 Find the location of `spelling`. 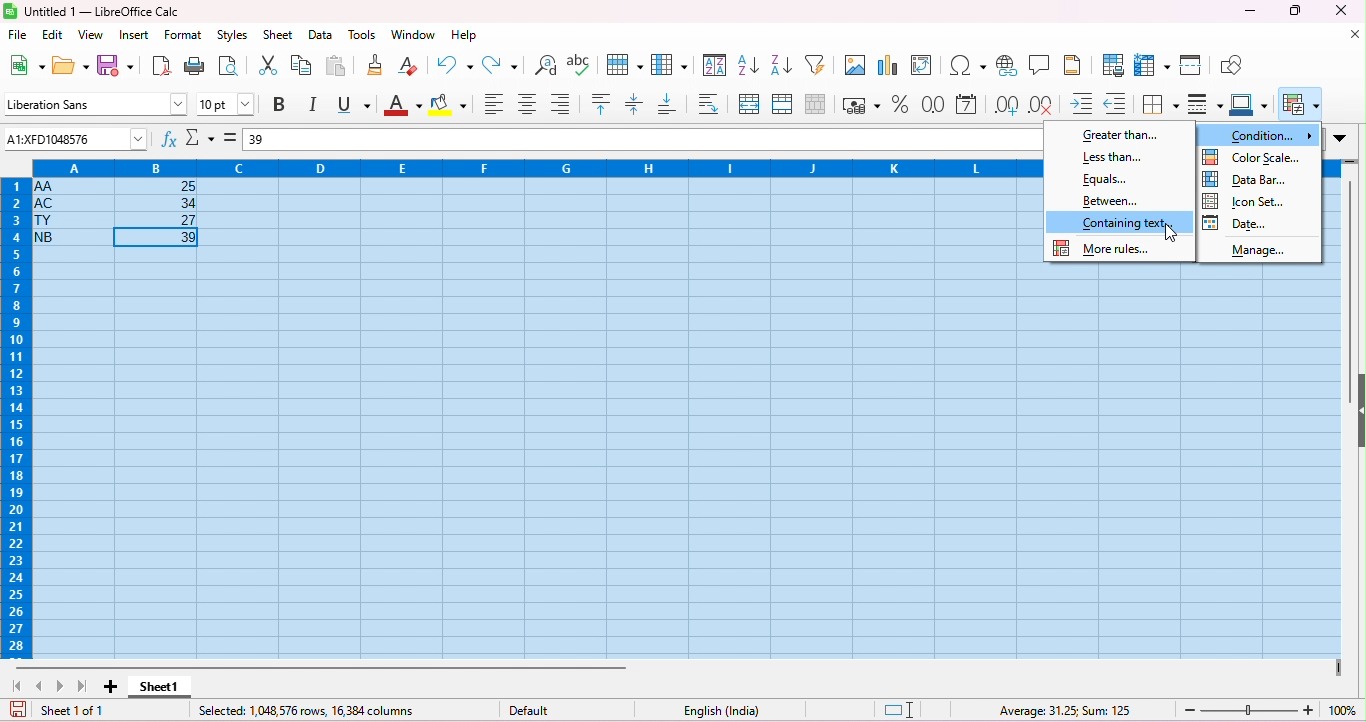

spelling is located at coordinates (581, 65).